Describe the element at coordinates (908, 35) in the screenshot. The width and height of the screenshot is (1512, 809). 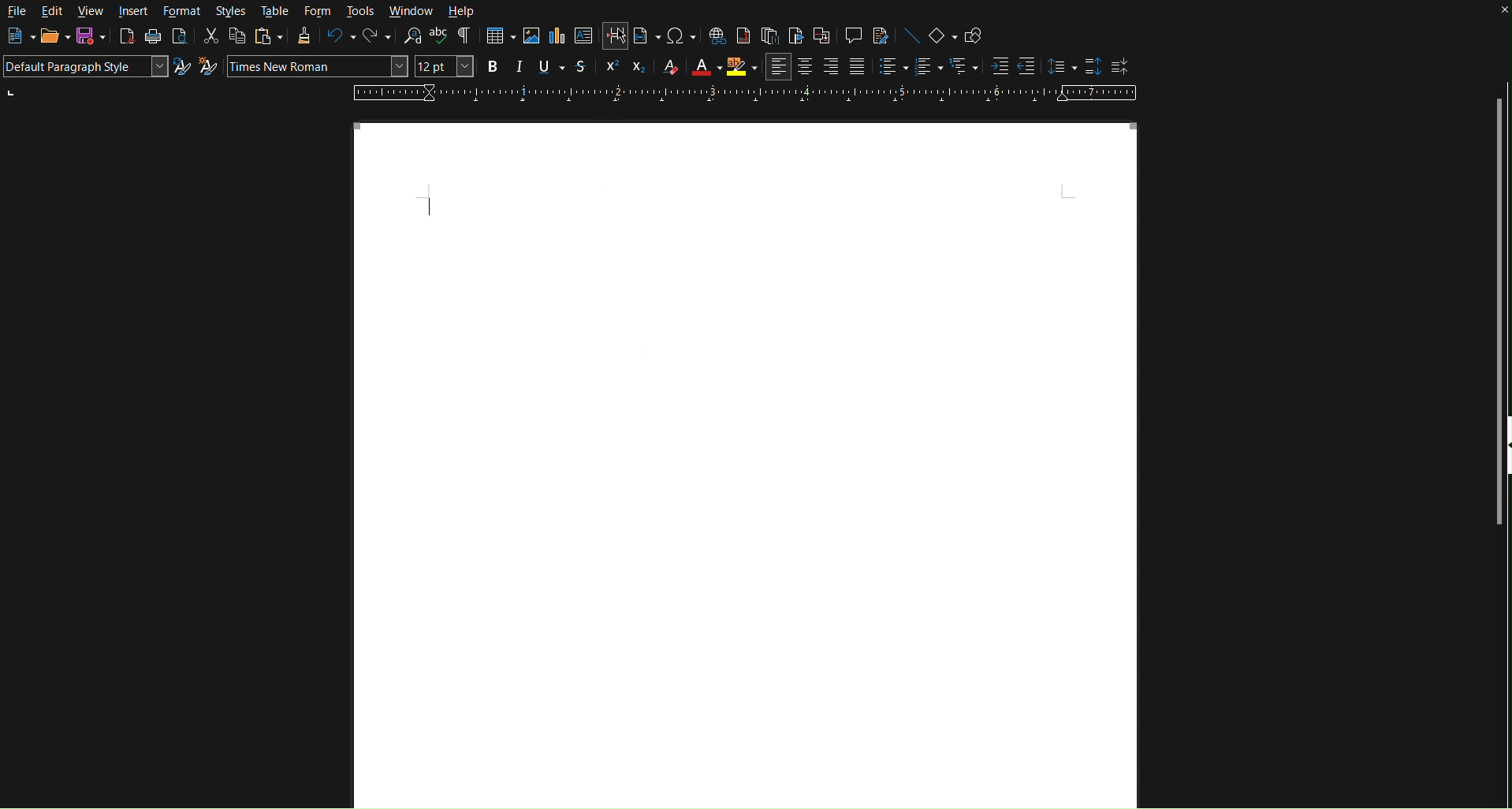
I see `Insert Line` at that location.